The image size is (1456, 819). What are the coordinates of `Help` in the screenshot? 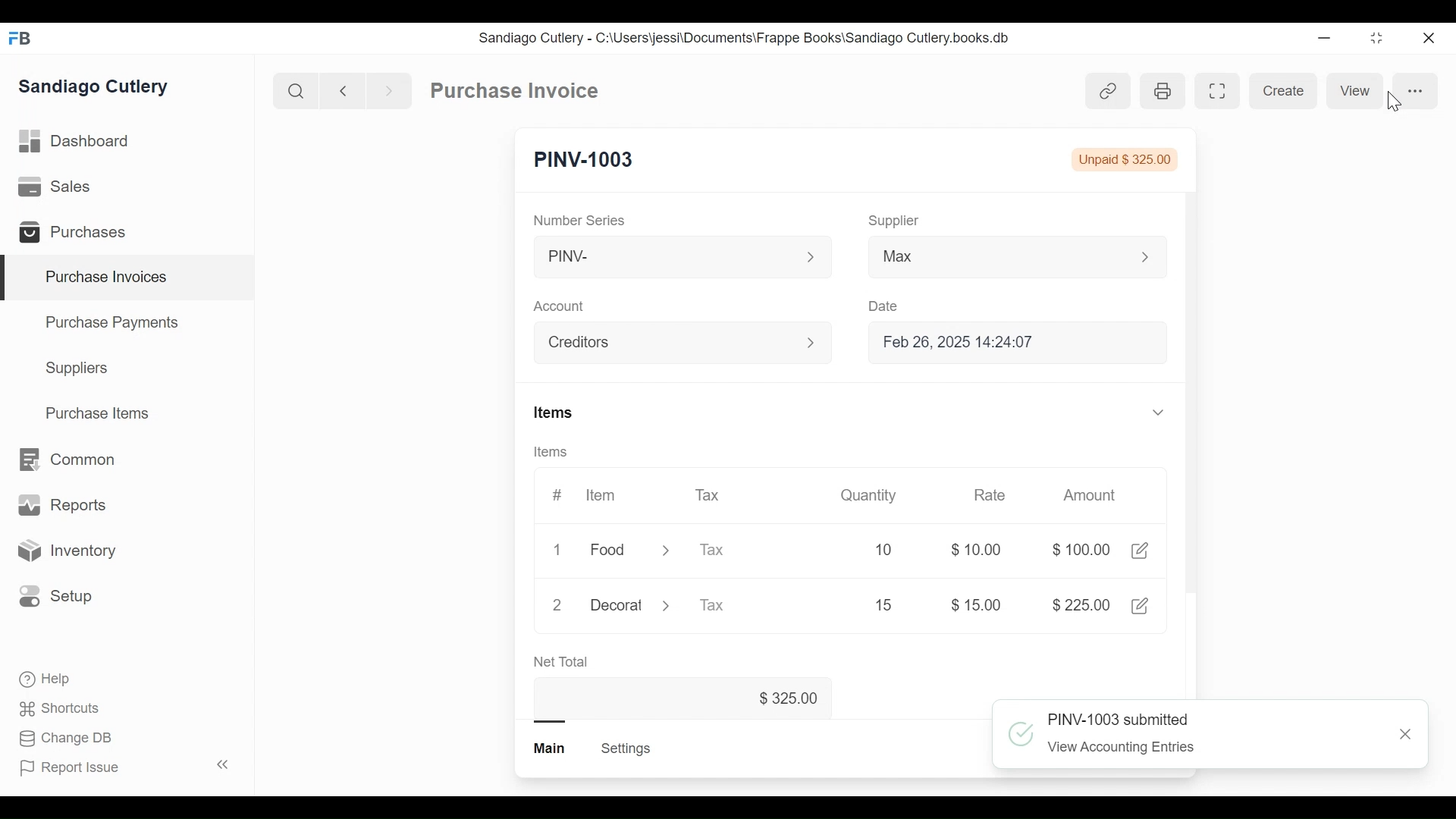 It's located at (46, 679).